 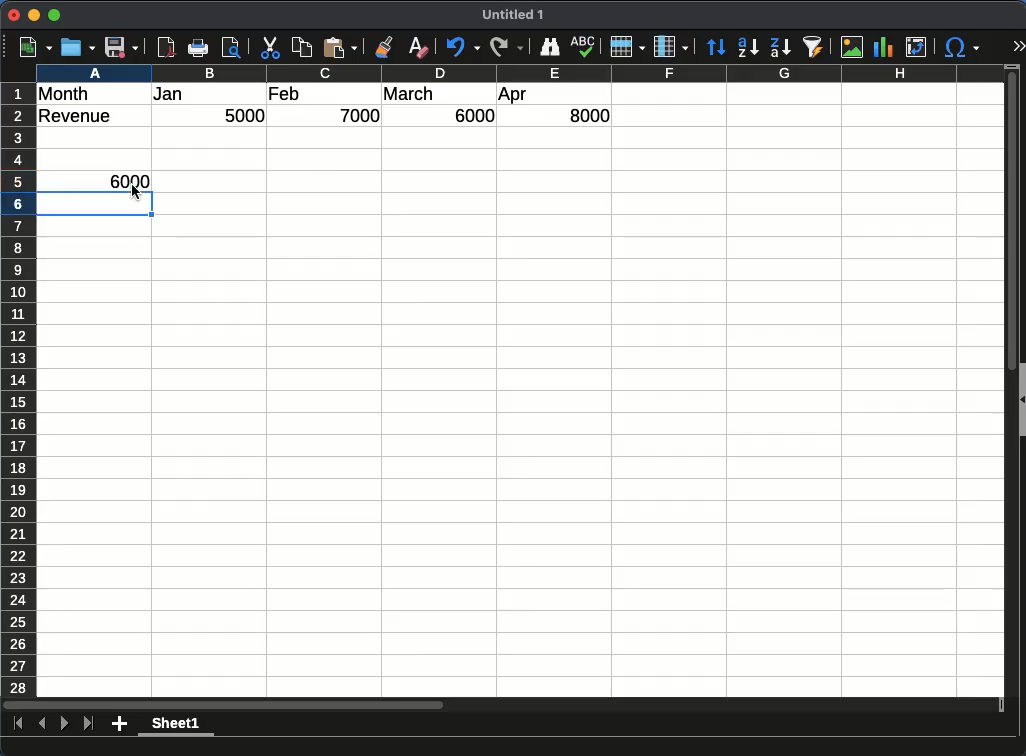 I want to click on feb, so click(x=287, y=94).